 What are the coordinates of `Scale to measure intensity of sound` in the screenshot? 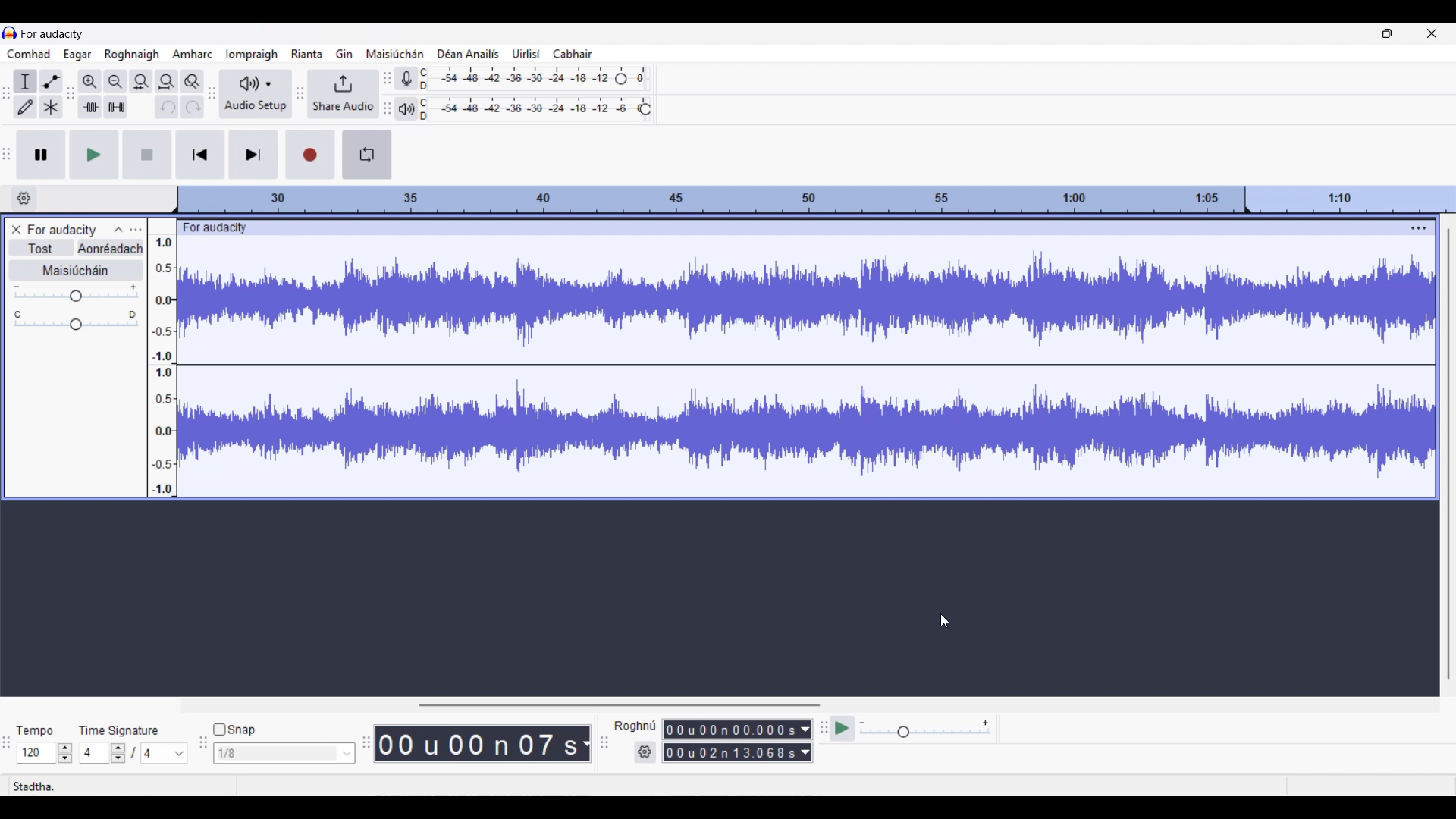 It's located at (163, 366).